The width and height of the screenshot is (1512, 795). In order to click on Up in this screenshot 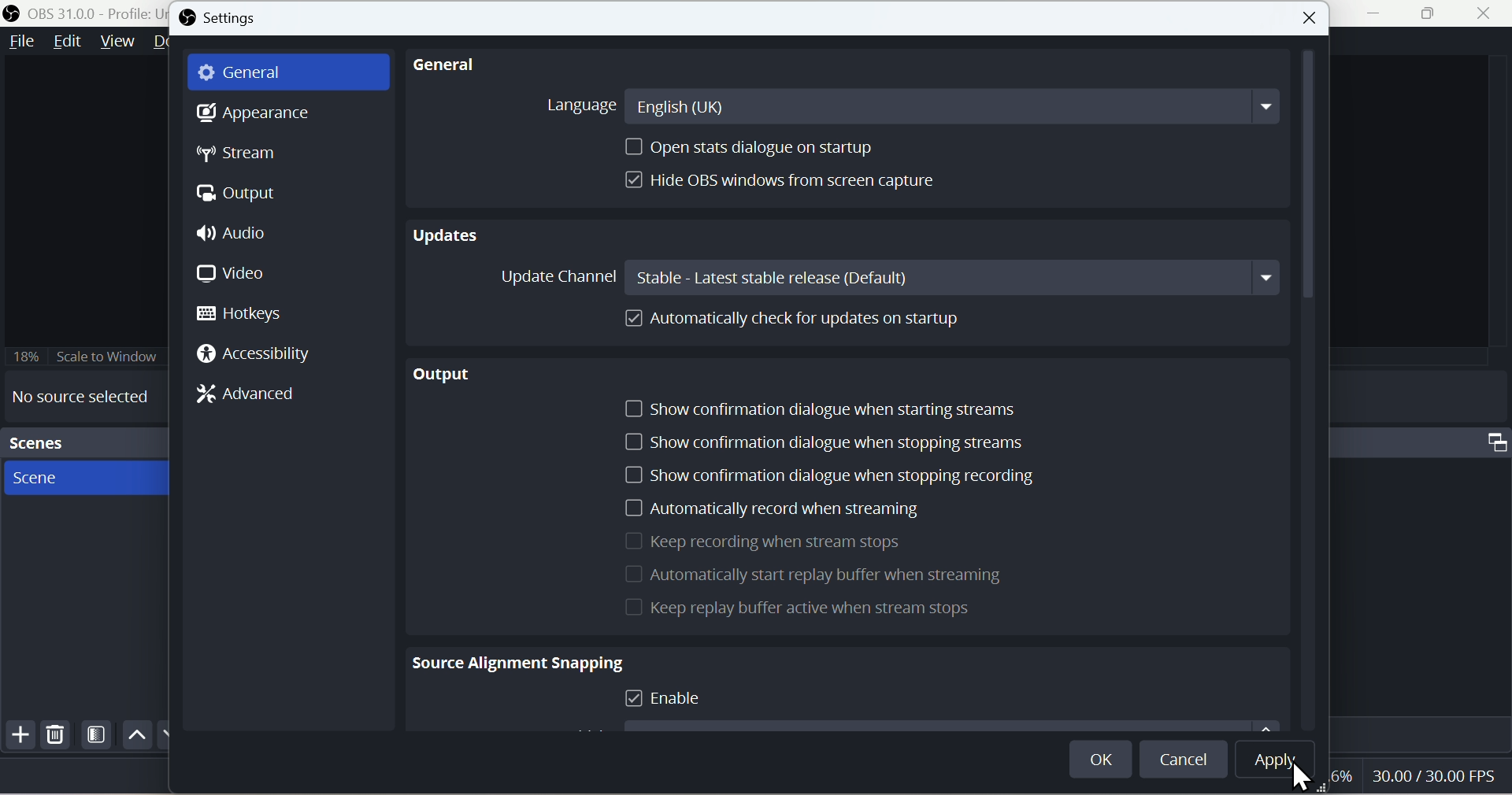, I will do `click(138, 738)`.